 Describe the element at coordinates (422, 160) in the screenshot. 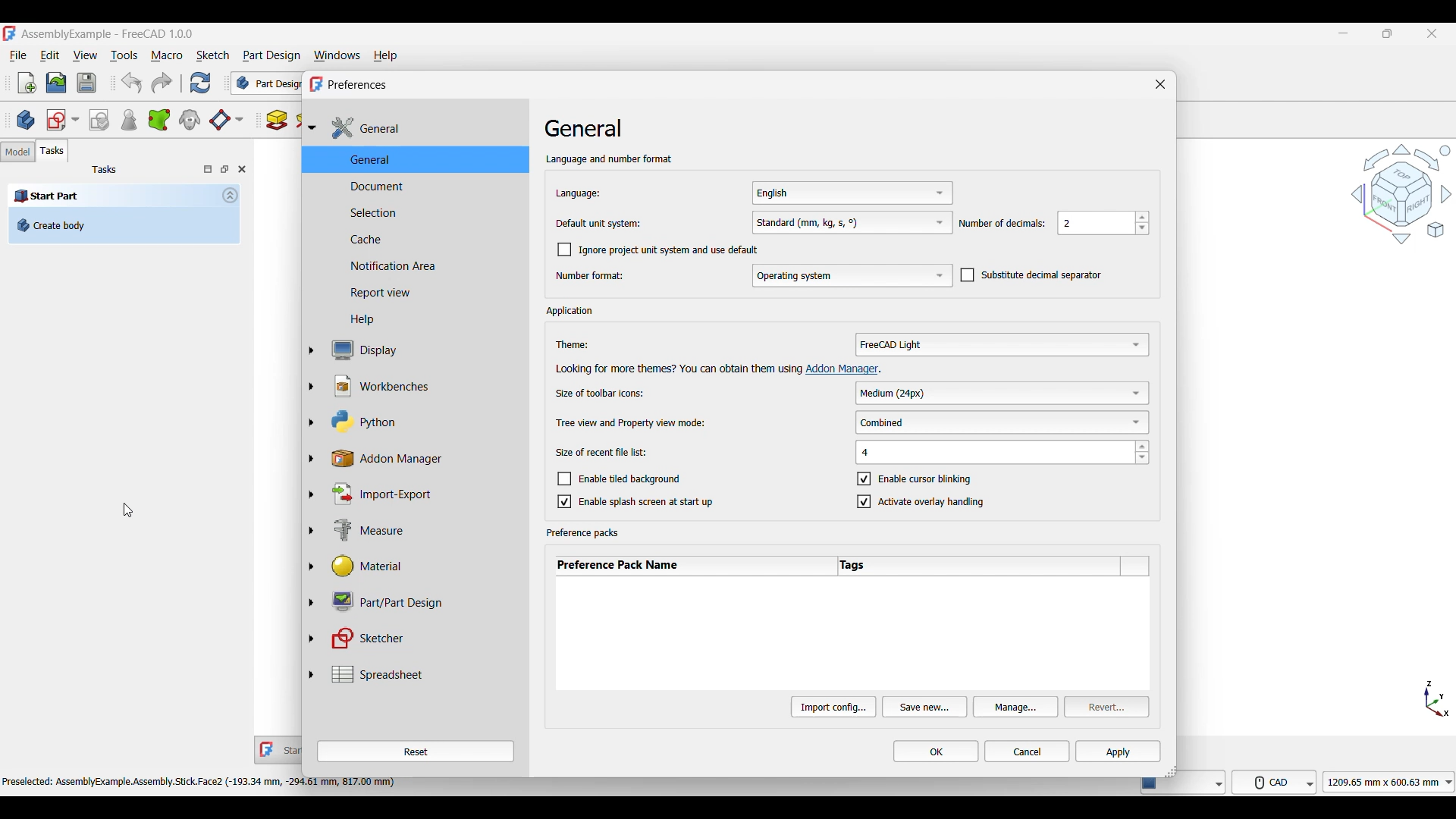

I see `General` at that location.